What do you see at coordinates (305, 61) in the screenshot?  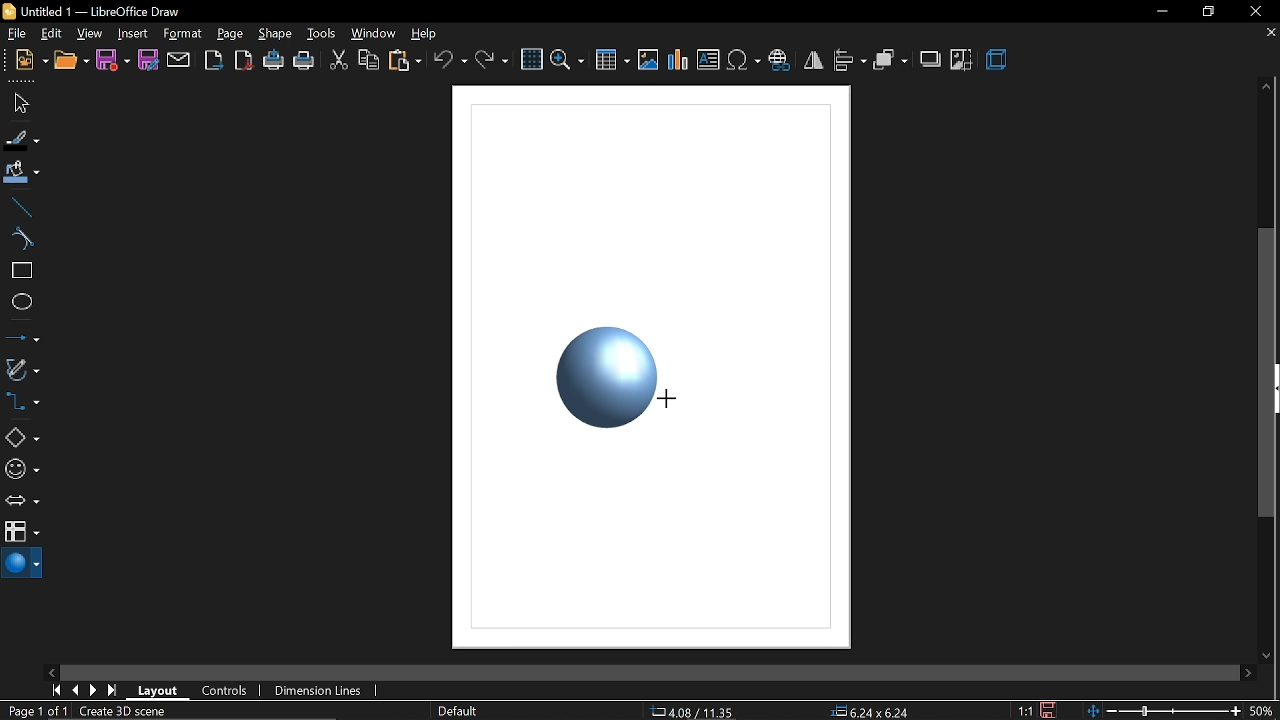 I see `print` at bounding box center [305, 61].